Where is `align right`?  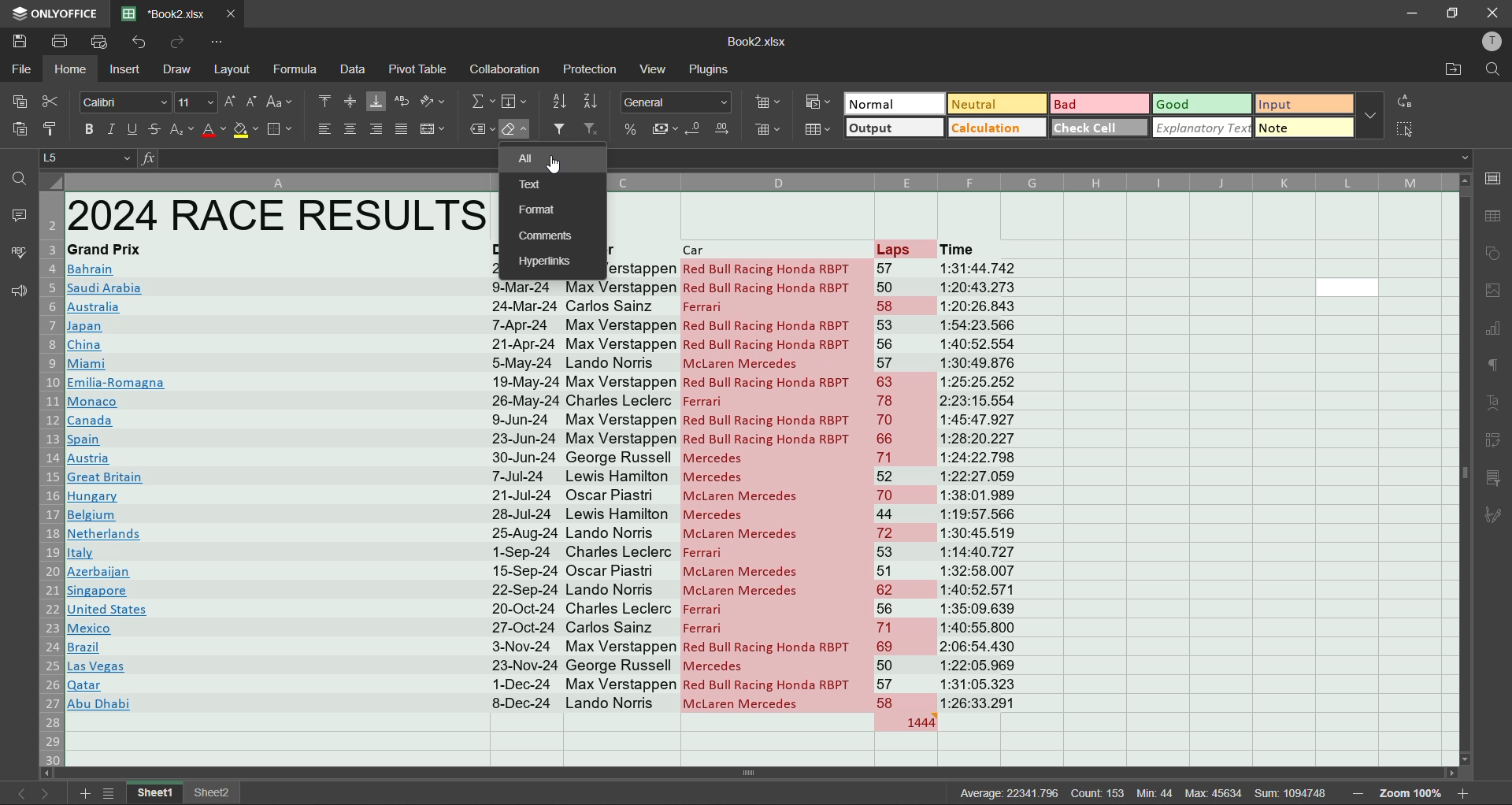 align right is located at coordinates (379, 129).